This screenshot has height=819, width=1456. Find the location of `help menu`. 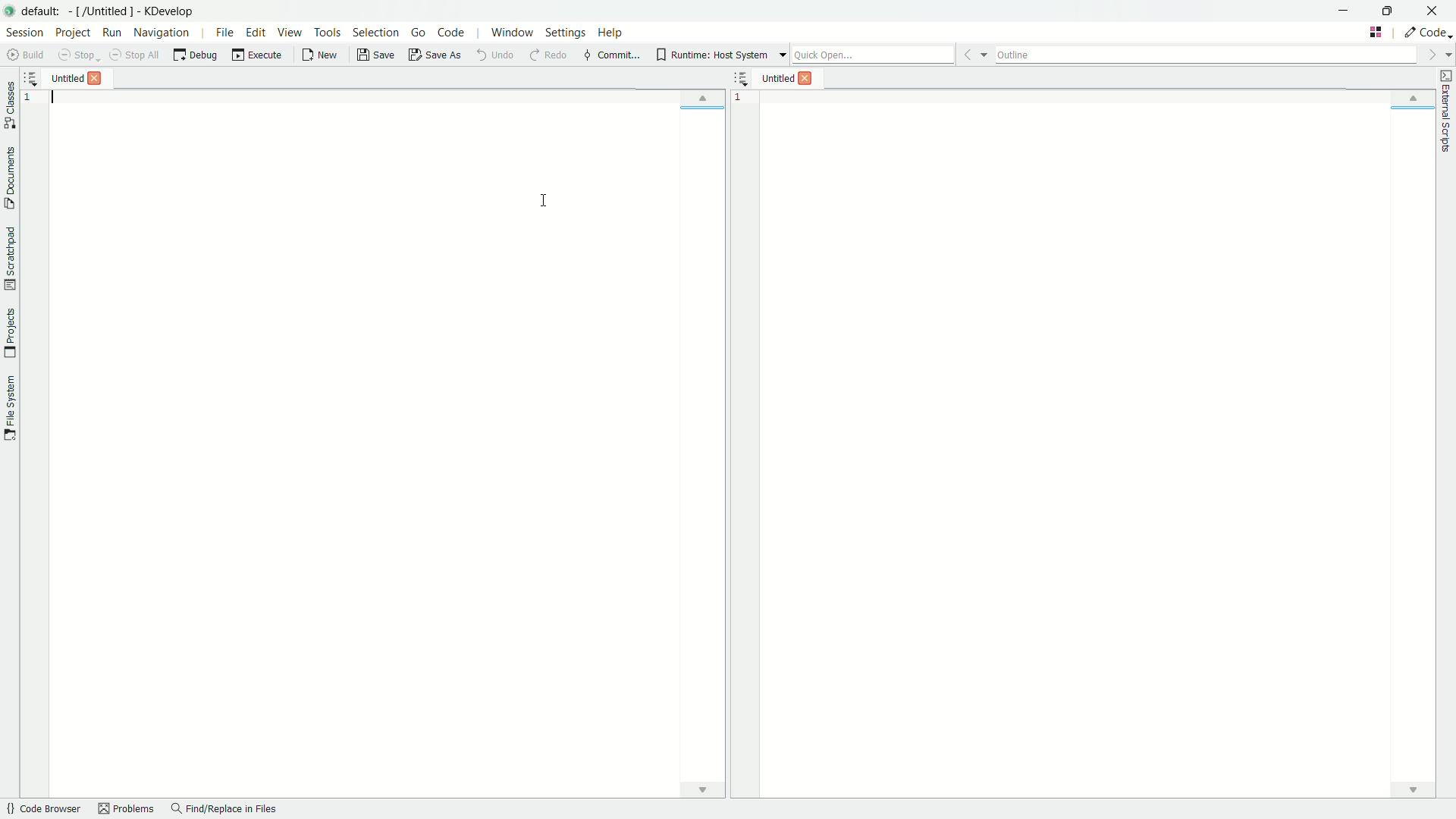

help menu is located at coordinates (610, 33).